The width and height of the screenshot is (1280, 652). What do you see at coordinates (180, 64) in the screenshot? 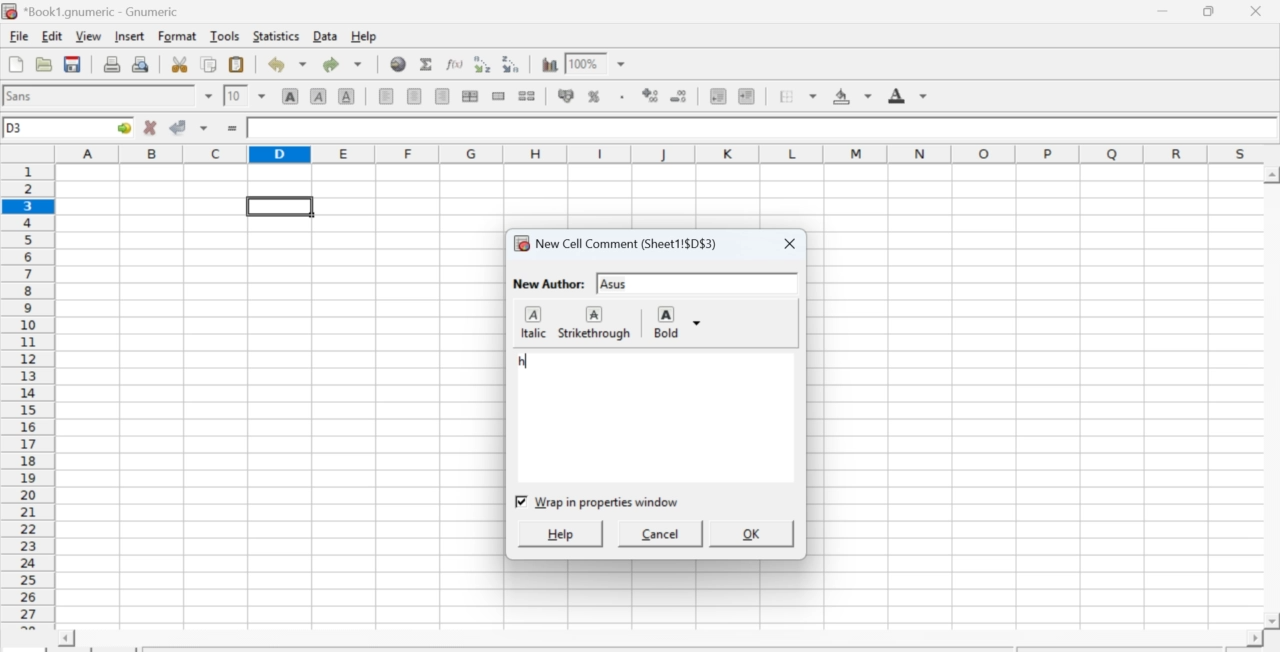
I see `Cut` at bounding box center [180, 64].